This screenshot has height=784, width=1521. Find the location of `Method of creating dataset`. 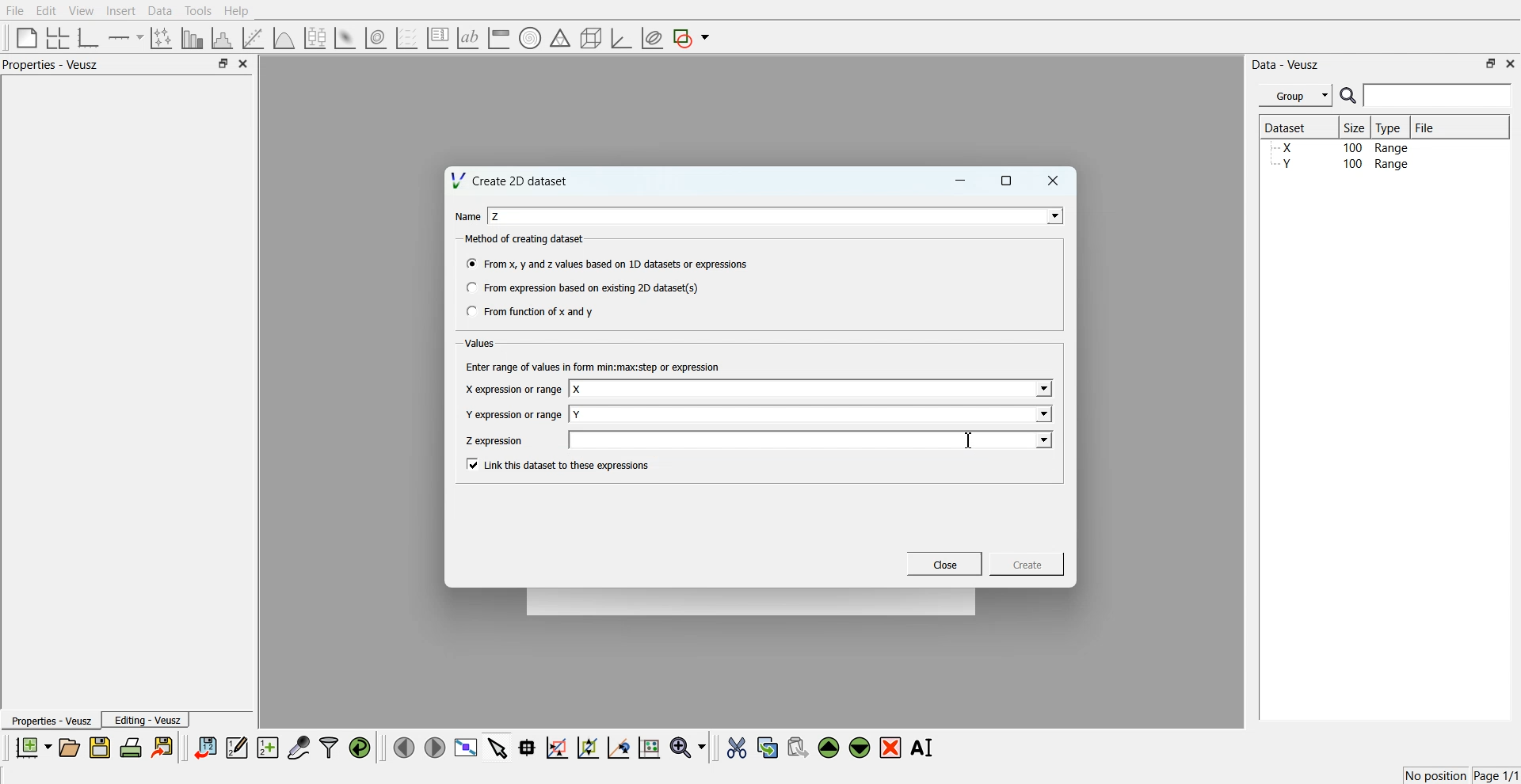

Method of creating dataset is located at coordinates (526, 239).